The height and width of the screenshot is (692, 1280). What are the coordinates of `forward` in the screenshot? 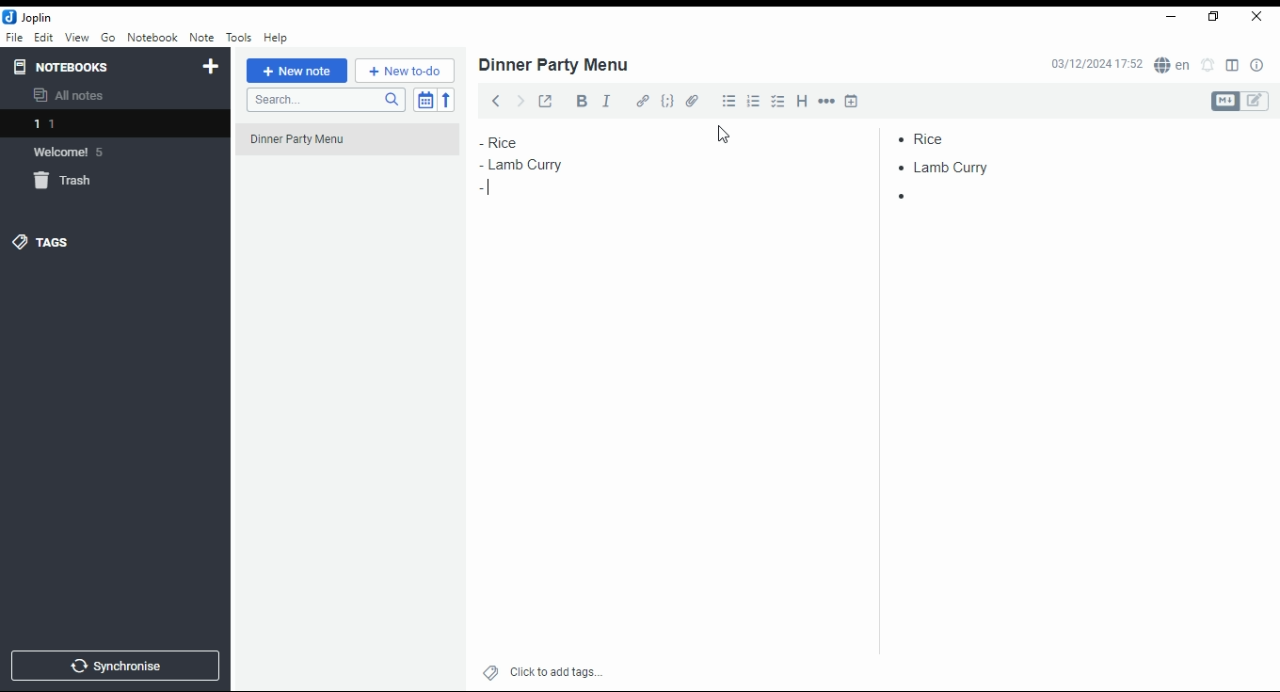 It's located at (519, 98).